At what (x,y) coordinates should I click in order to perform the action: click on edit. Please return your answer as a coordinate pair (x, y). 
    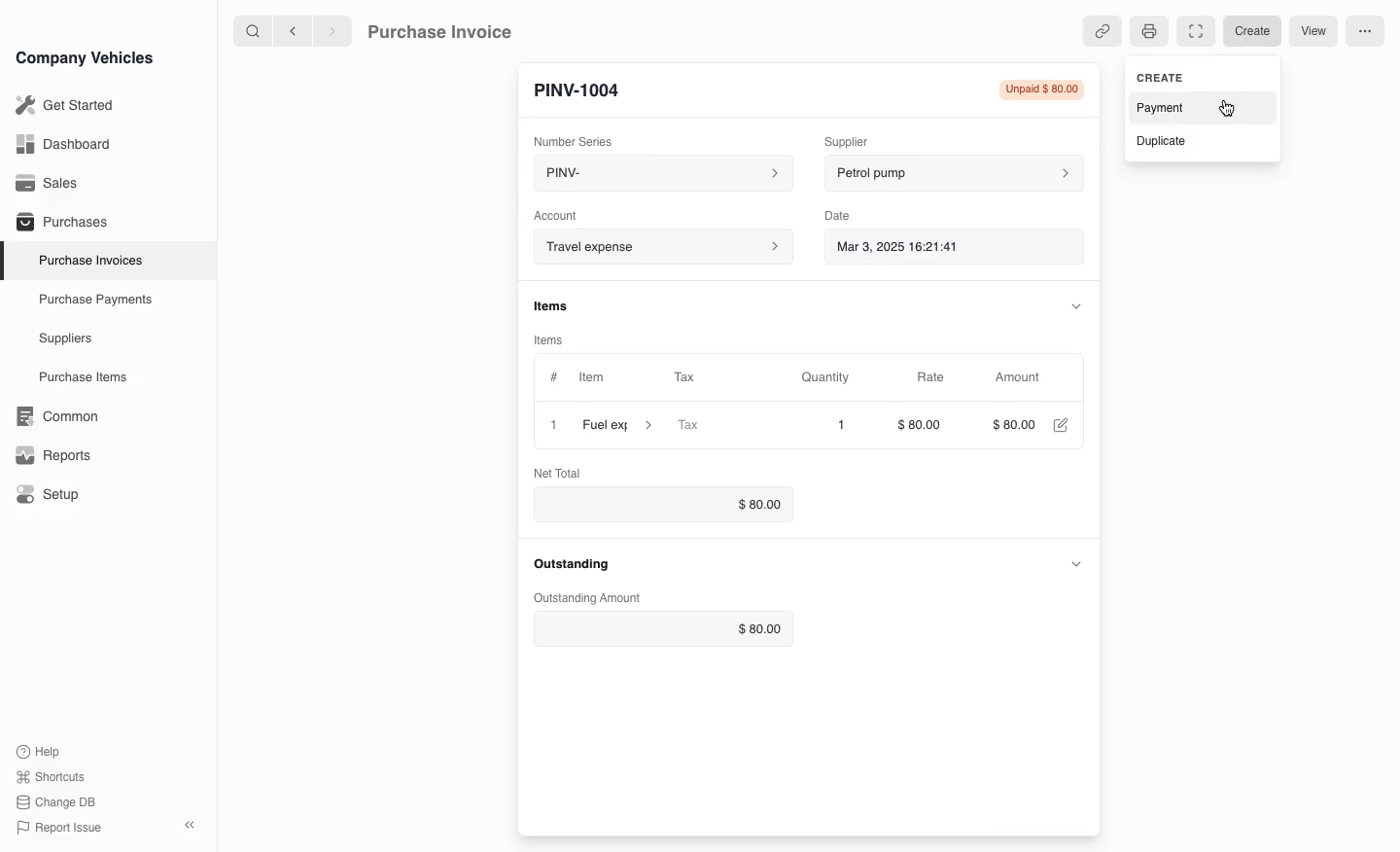
    Looking at the image, I should click on (1063, 426).